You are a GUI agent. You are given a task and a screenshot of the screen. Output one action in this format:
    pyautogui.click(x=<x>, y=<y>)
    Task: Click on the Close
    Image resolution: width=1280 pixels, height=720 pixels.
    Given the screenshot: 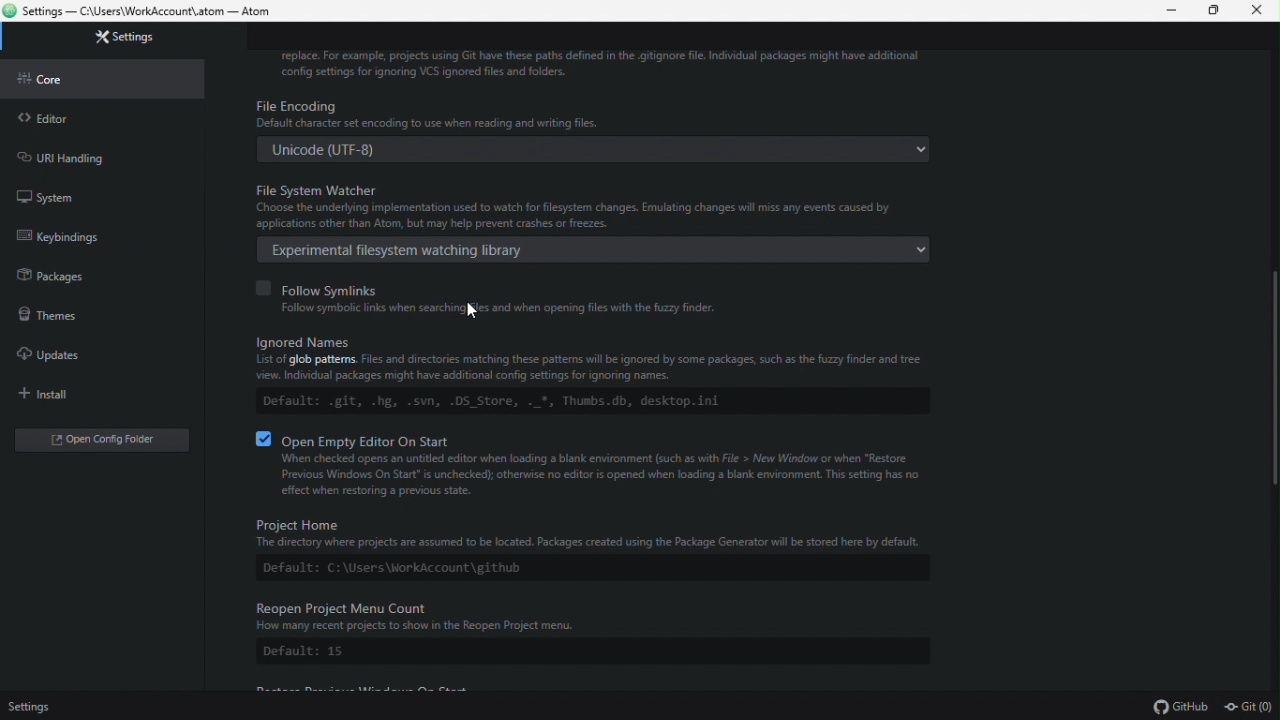 What is the action you would take?
    pyautogui.click(x=1261, y=11)
    